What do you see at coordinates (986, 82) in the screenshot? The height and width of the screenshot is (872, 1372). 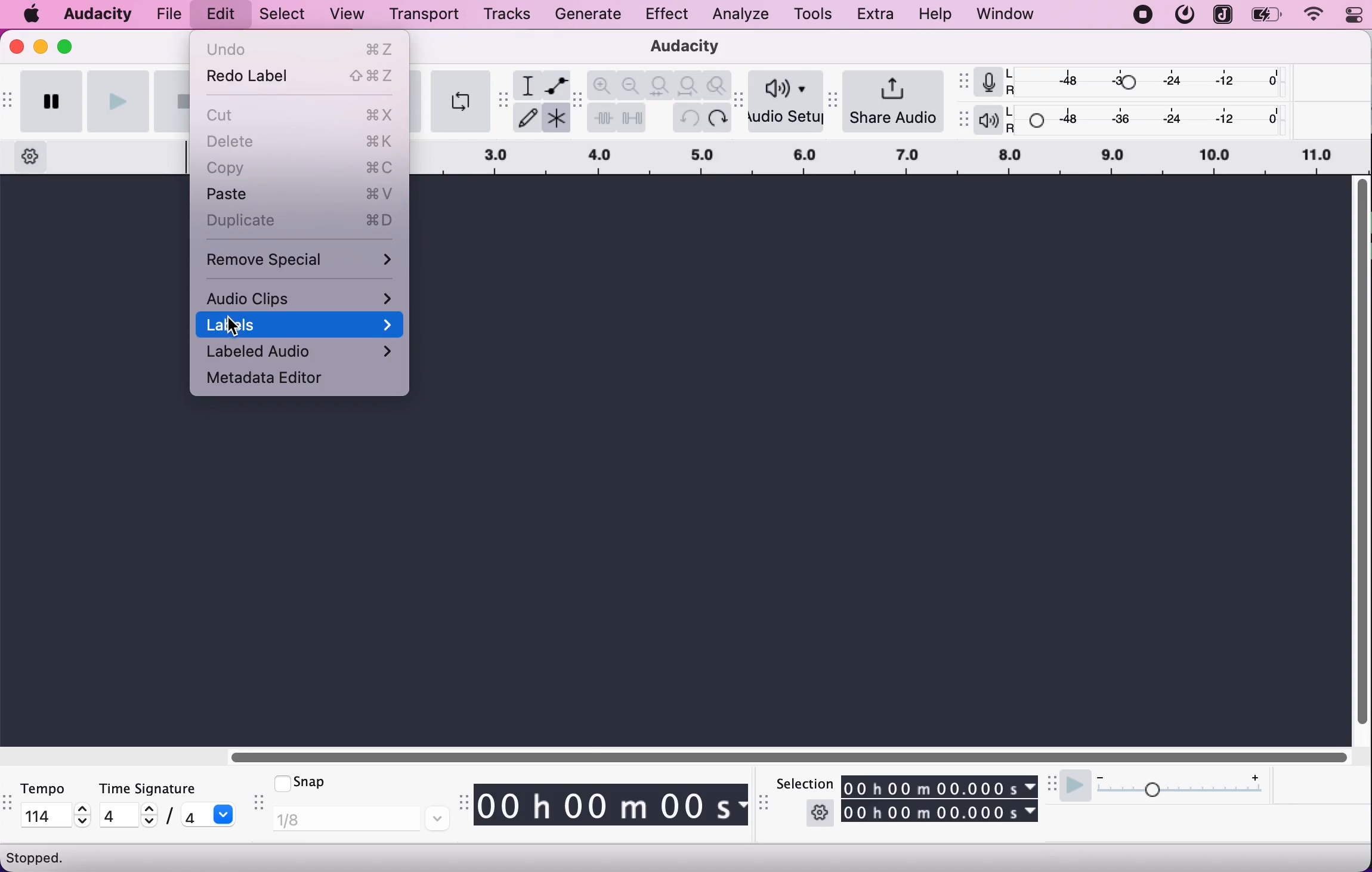 I see `record meter` at bounding box center [986, 82].